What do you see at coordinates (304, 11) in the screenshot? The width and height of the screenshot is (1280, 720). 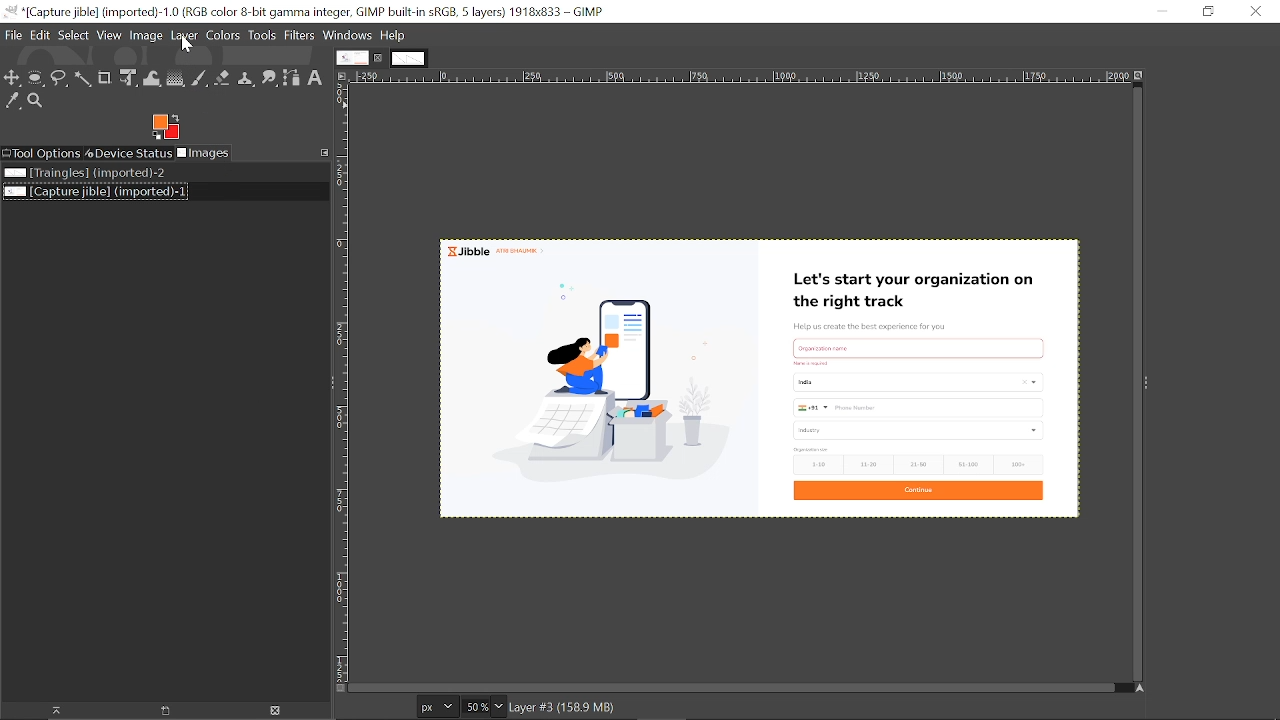 I see `cURRENT WINDOW` at bounding box center [304, 11].